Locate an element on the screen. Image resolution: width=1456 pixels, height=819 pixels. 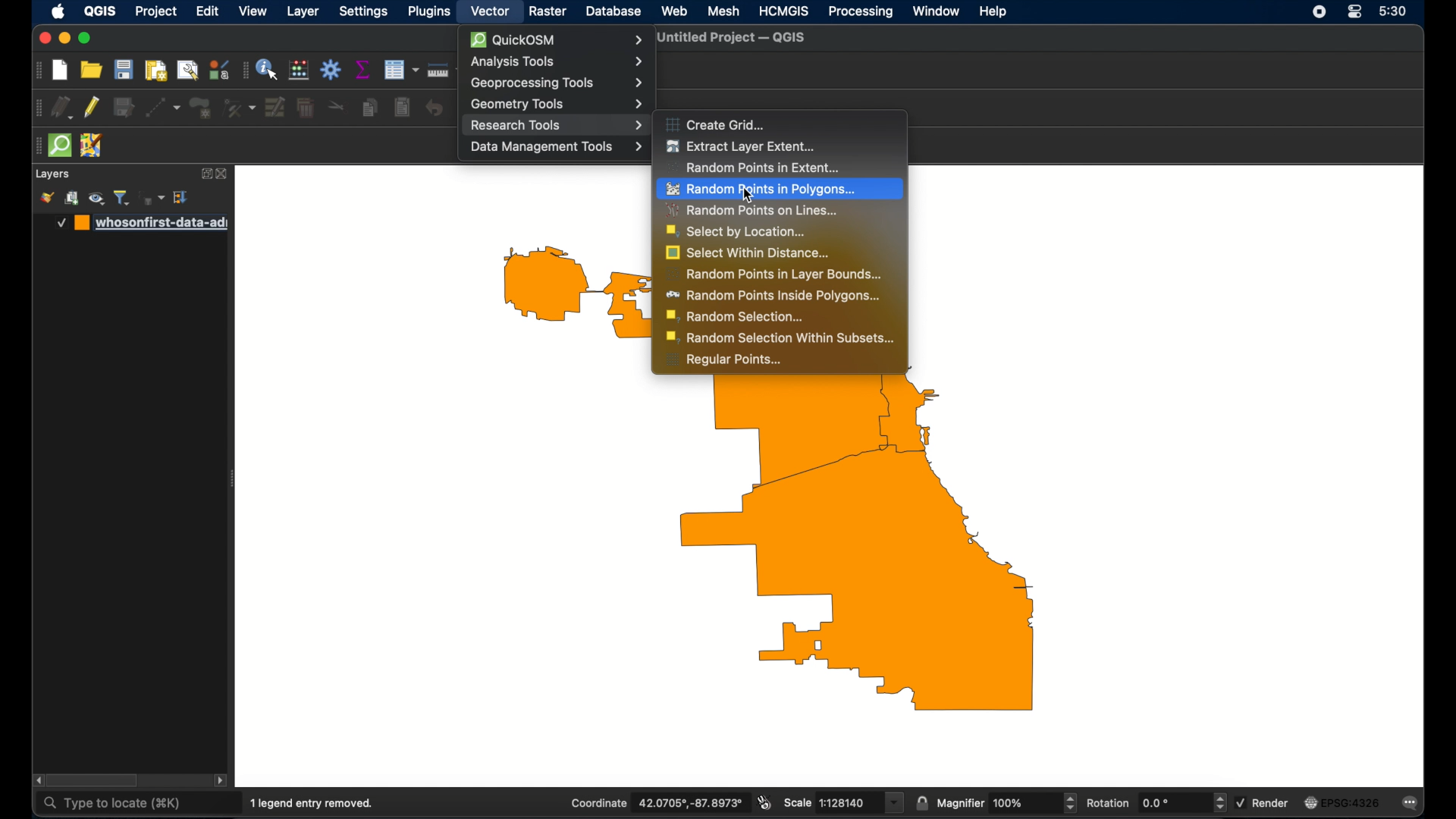
processing is located at coordinates (860, 11).